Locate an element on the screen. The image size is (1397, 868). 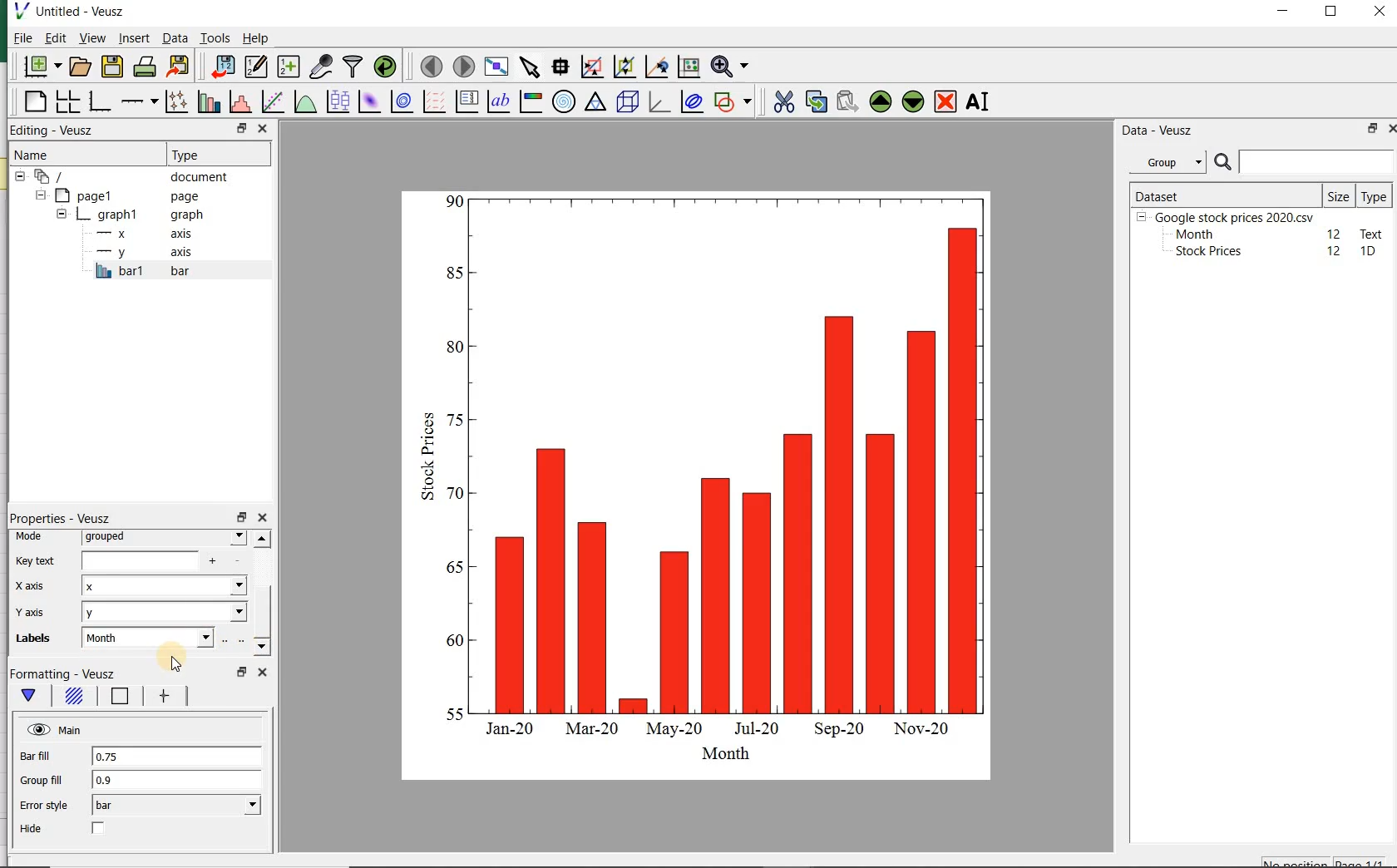
restore is located at coordinates (1370, 130).